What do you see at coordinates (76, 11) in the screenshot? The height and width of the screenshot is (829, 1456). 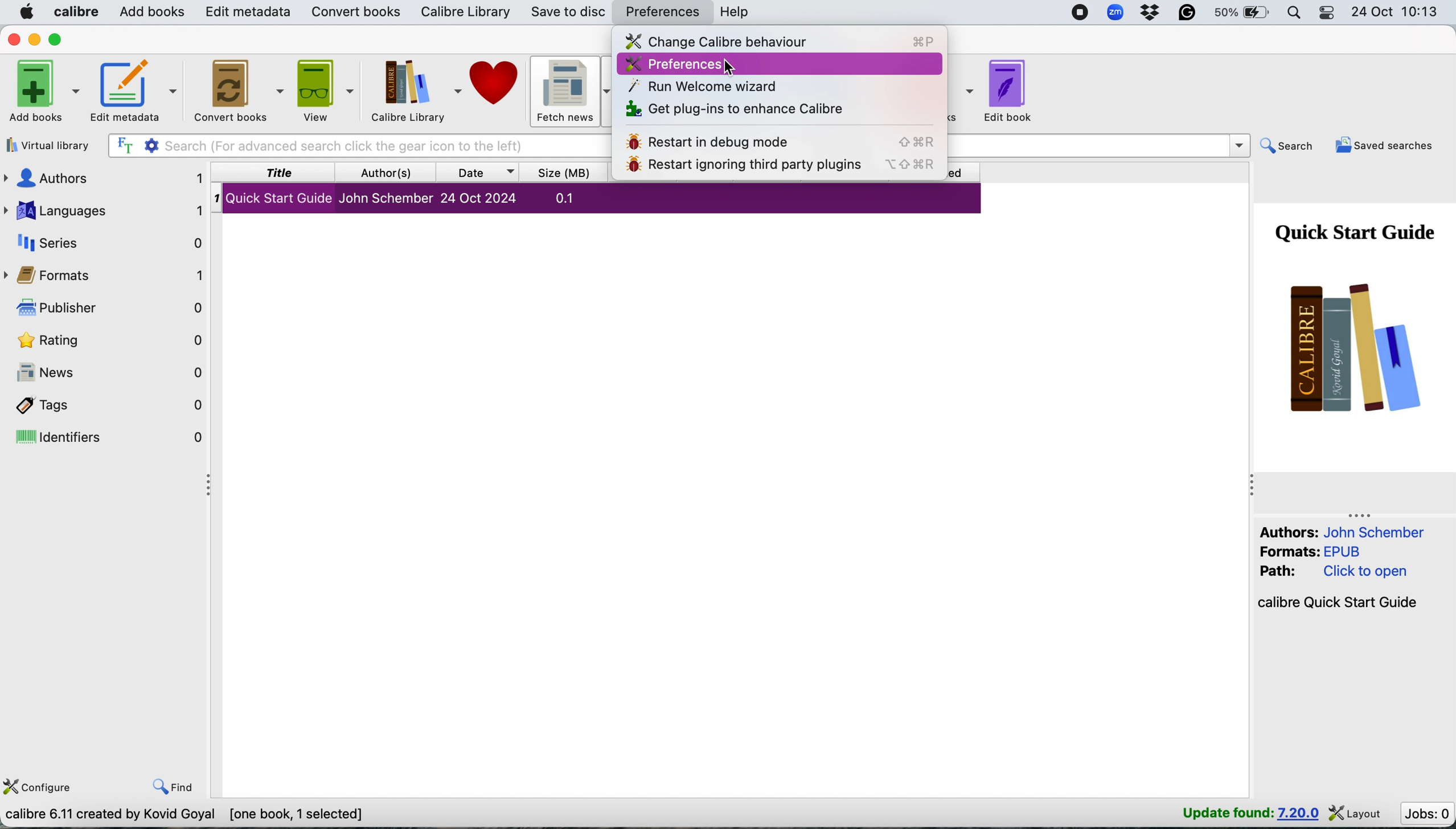 I see `calibre` at bounding box center [76, 11].